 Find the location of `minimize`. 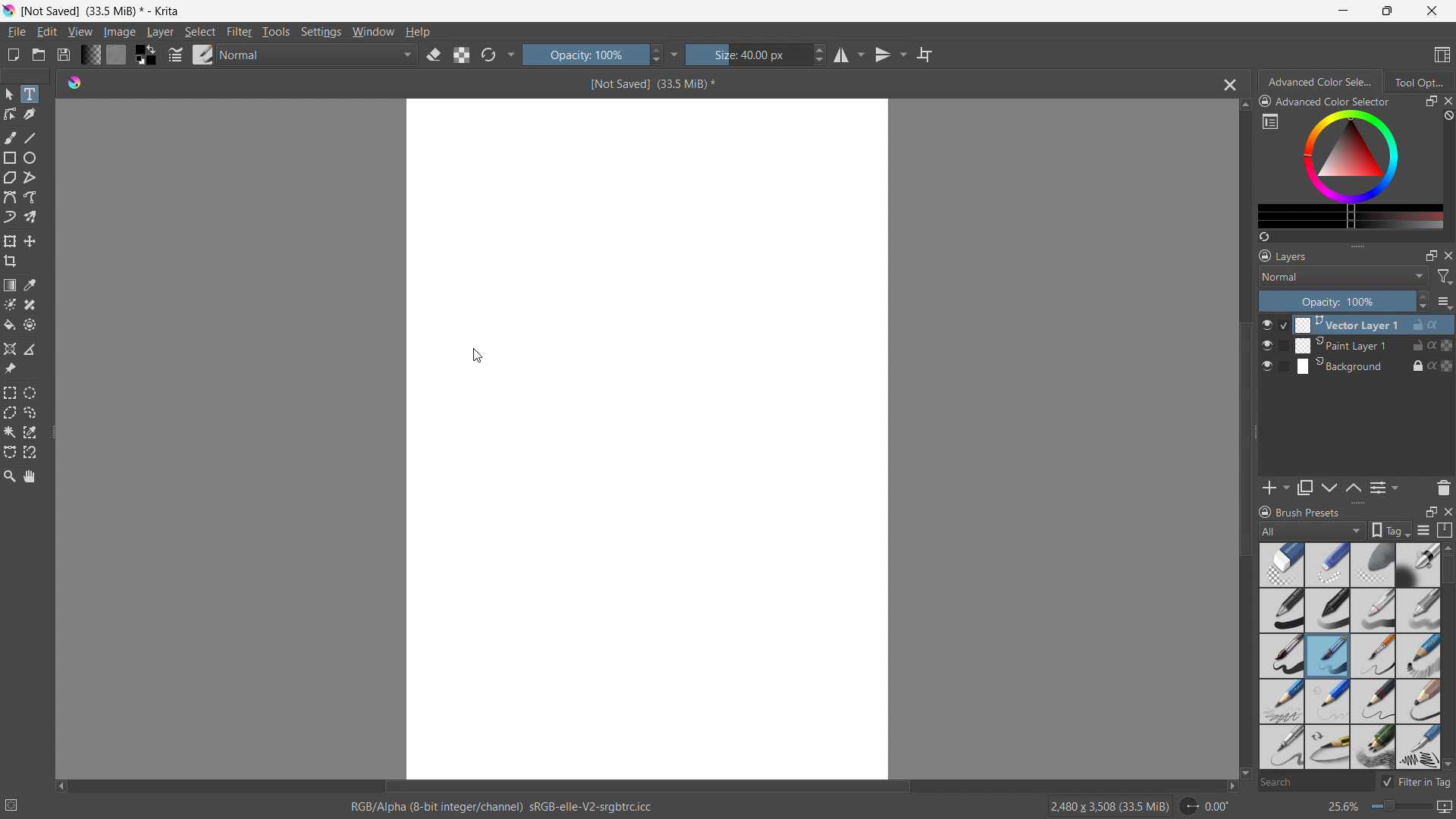

minimize is located at coordinates (1344, 10).